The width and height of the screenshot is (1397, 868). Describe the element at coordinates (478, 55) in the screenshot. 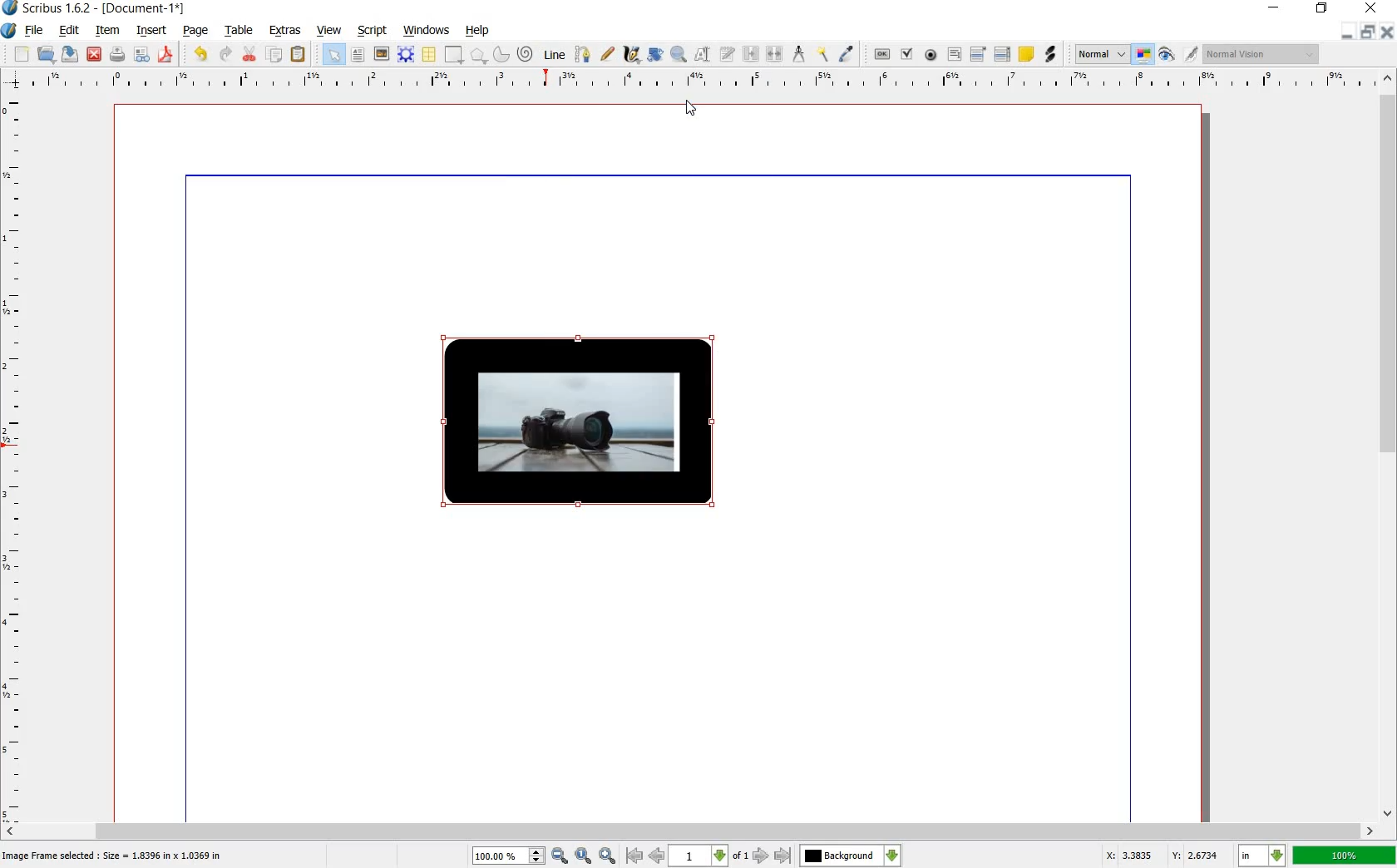

I see `polygon` at that location.